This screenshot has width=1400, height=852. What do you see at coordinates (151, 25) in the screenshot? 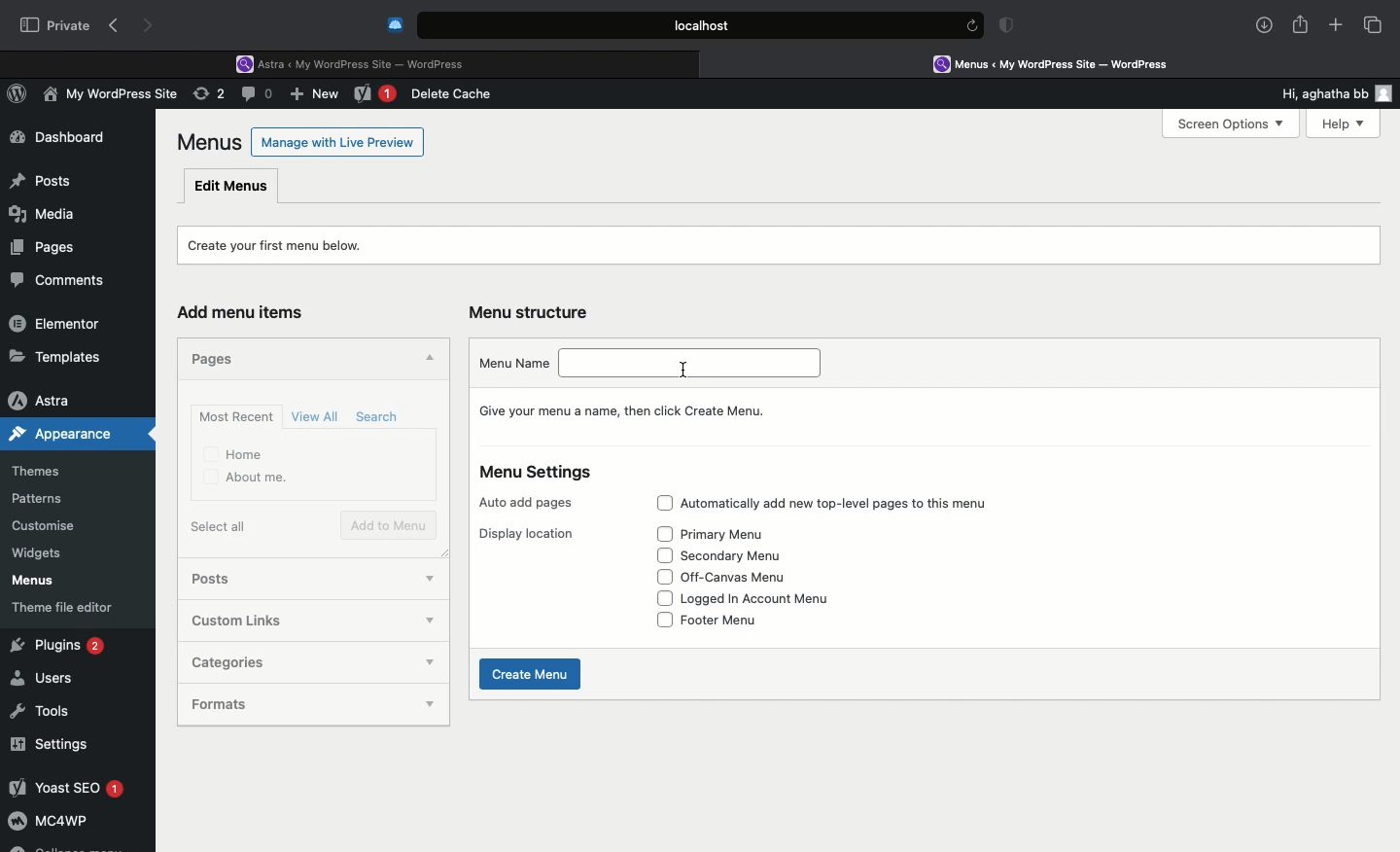
I see `Forward` at bounding box center [151, 25].